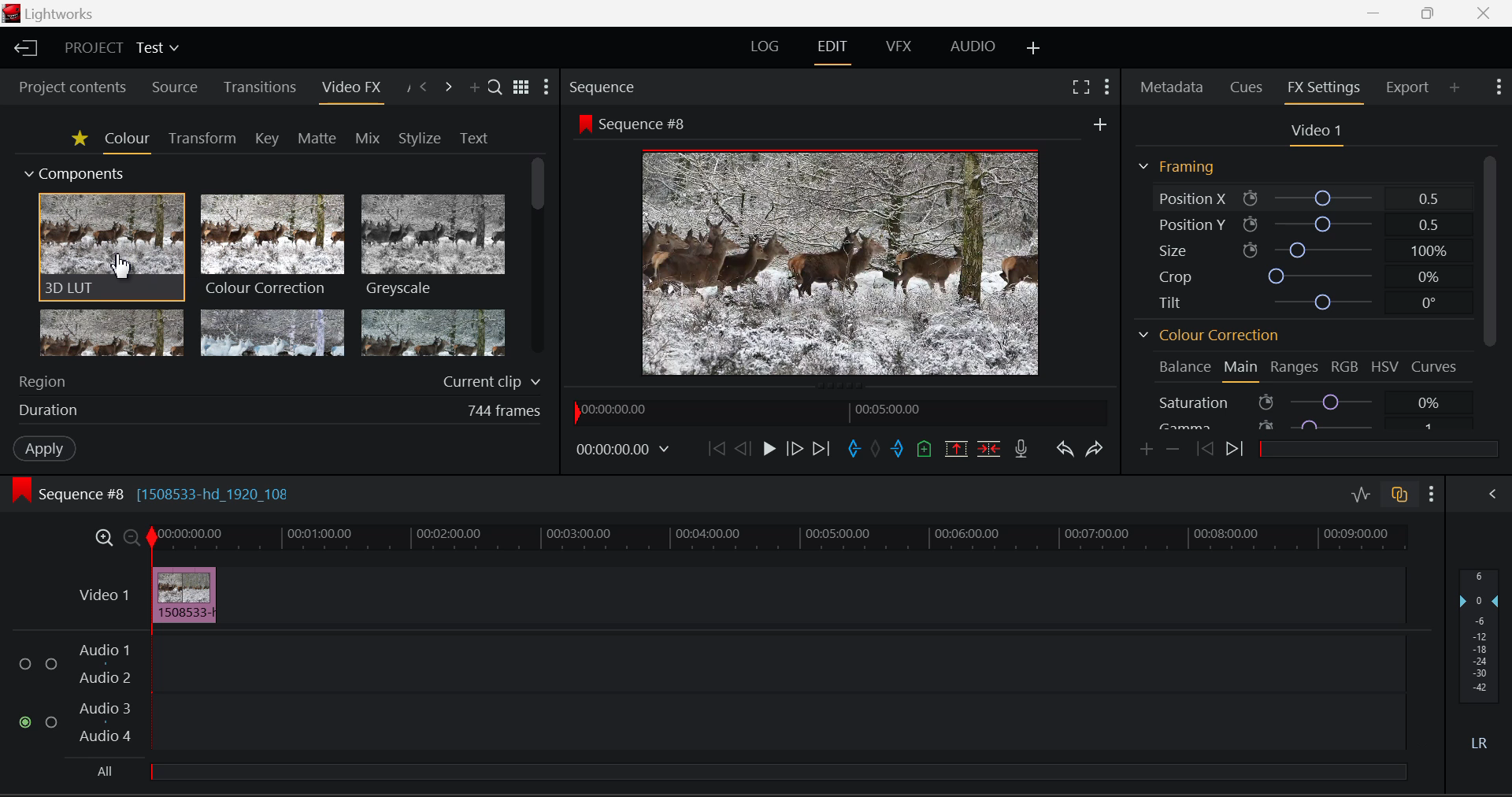 Image resolution: width=1512 pixels, height=797 pixels. I want to click on Mark In, so click(854, 450).